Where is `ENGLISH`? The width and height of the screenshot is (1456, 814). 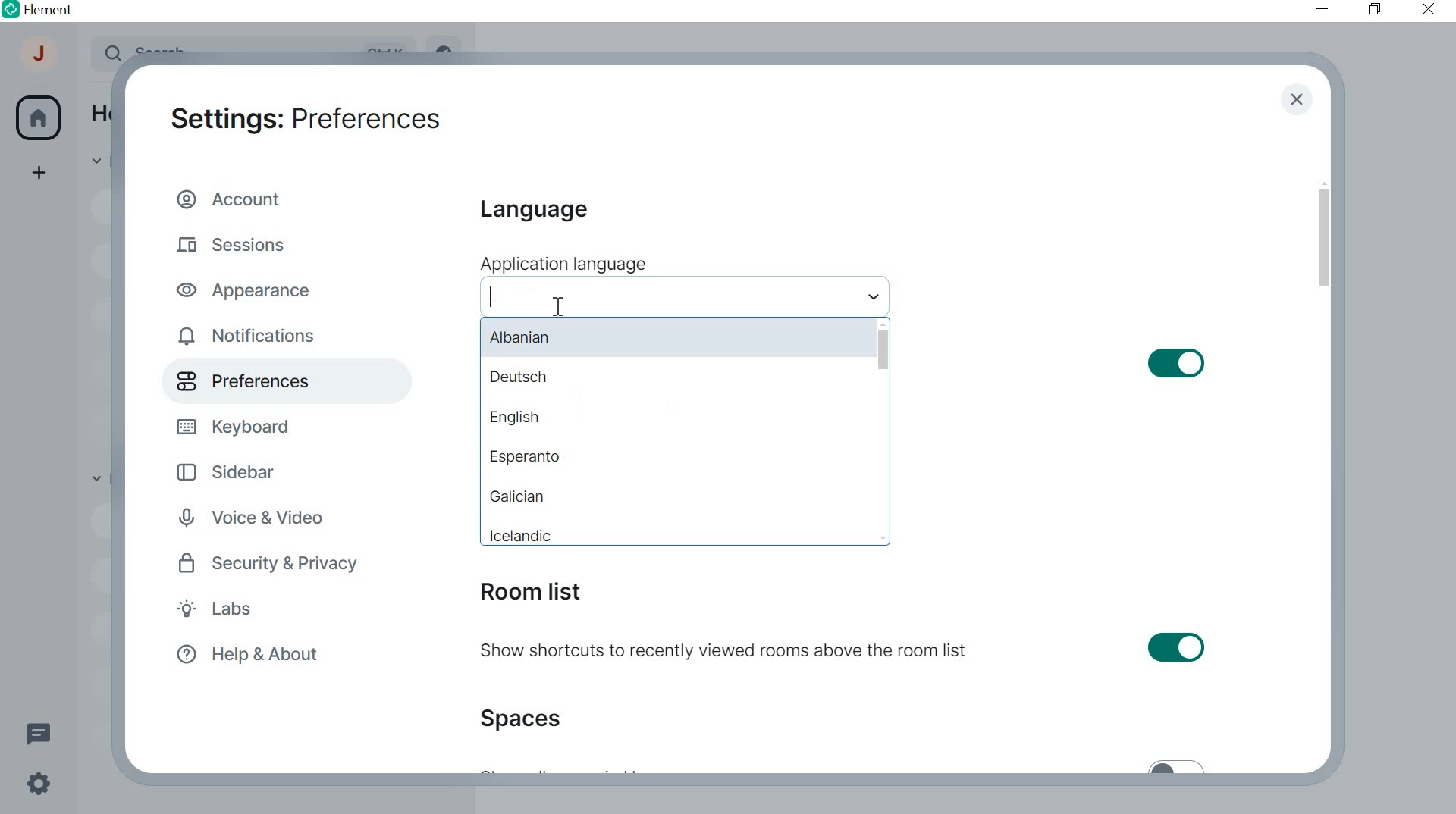
ENGLISH is located at coordinates (677, 420).